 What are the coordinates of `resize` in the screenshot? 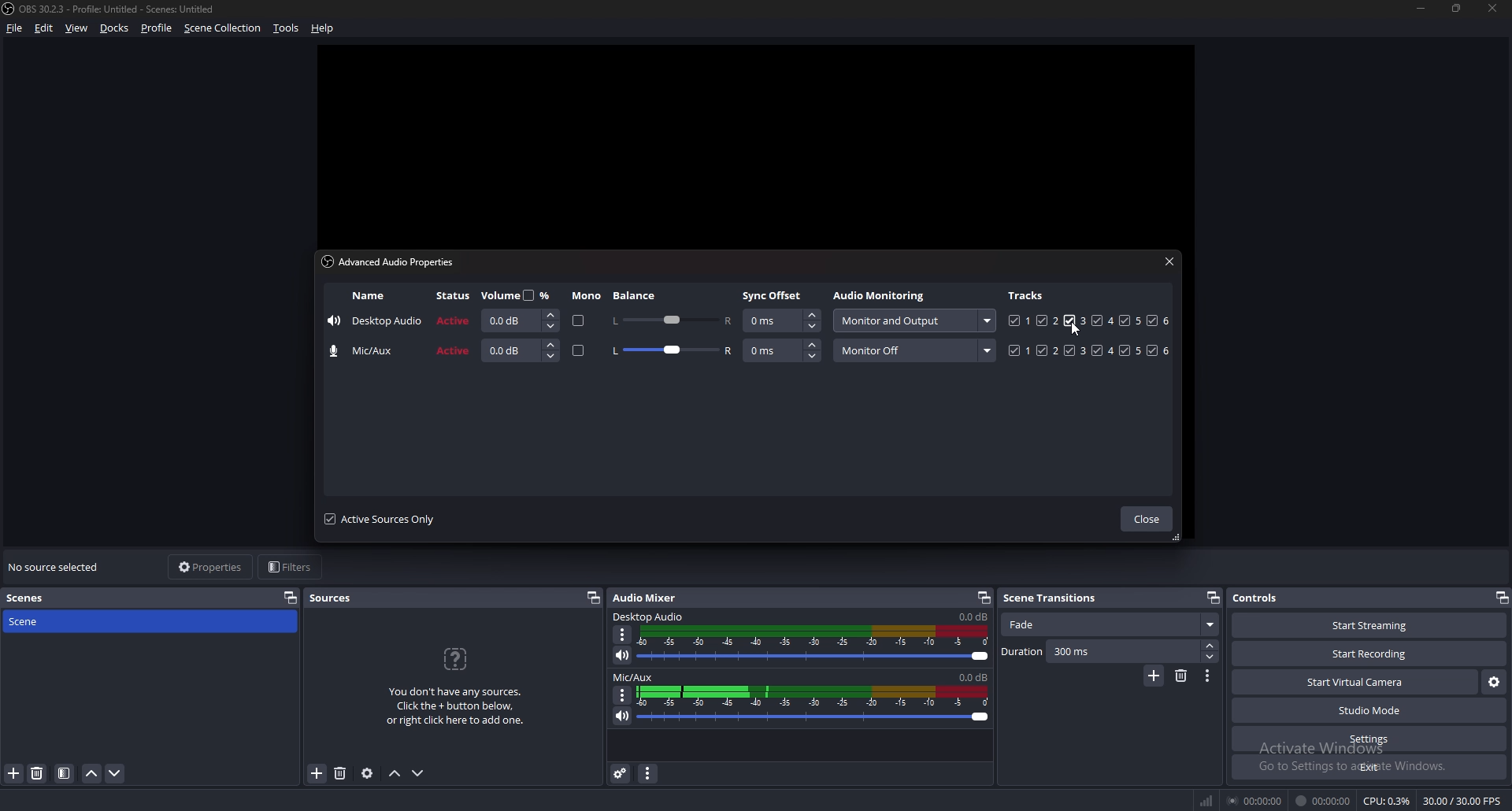 It's located at (1459, 9).